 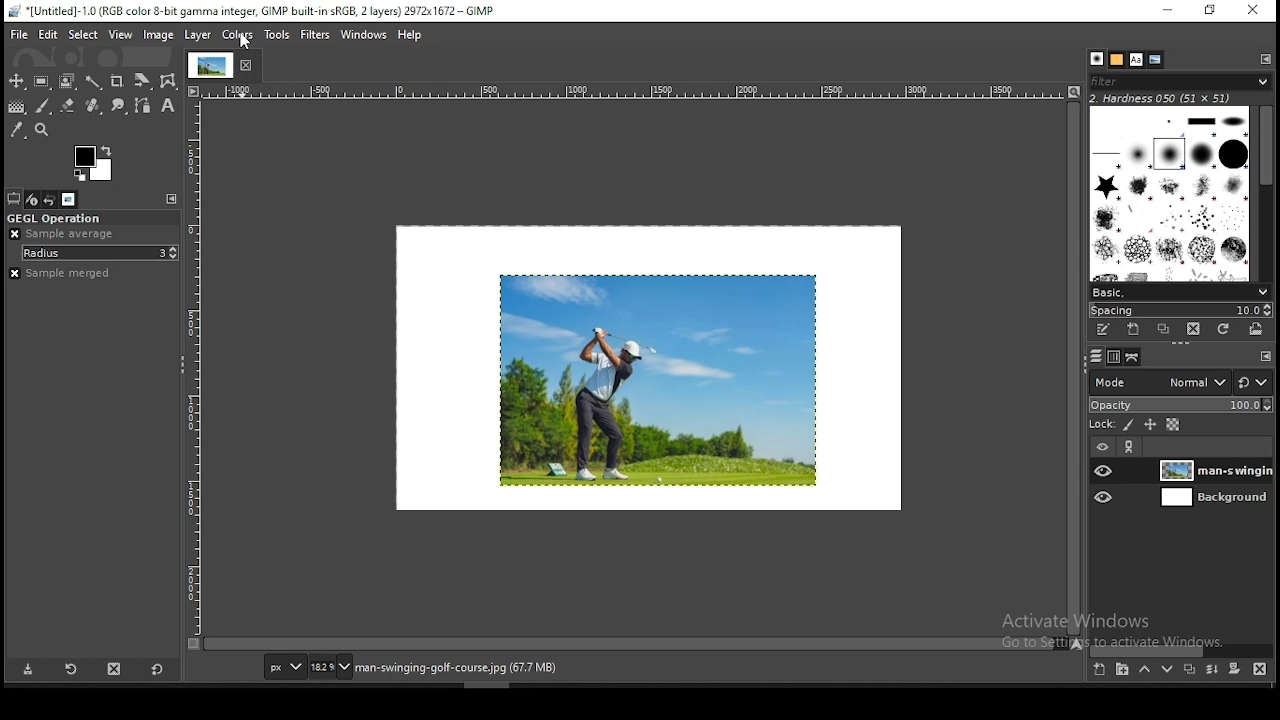 What do you see at coordinates (1098, 670) in the screenshot?
I see `new layer group` at bounding box center [1098, 670].